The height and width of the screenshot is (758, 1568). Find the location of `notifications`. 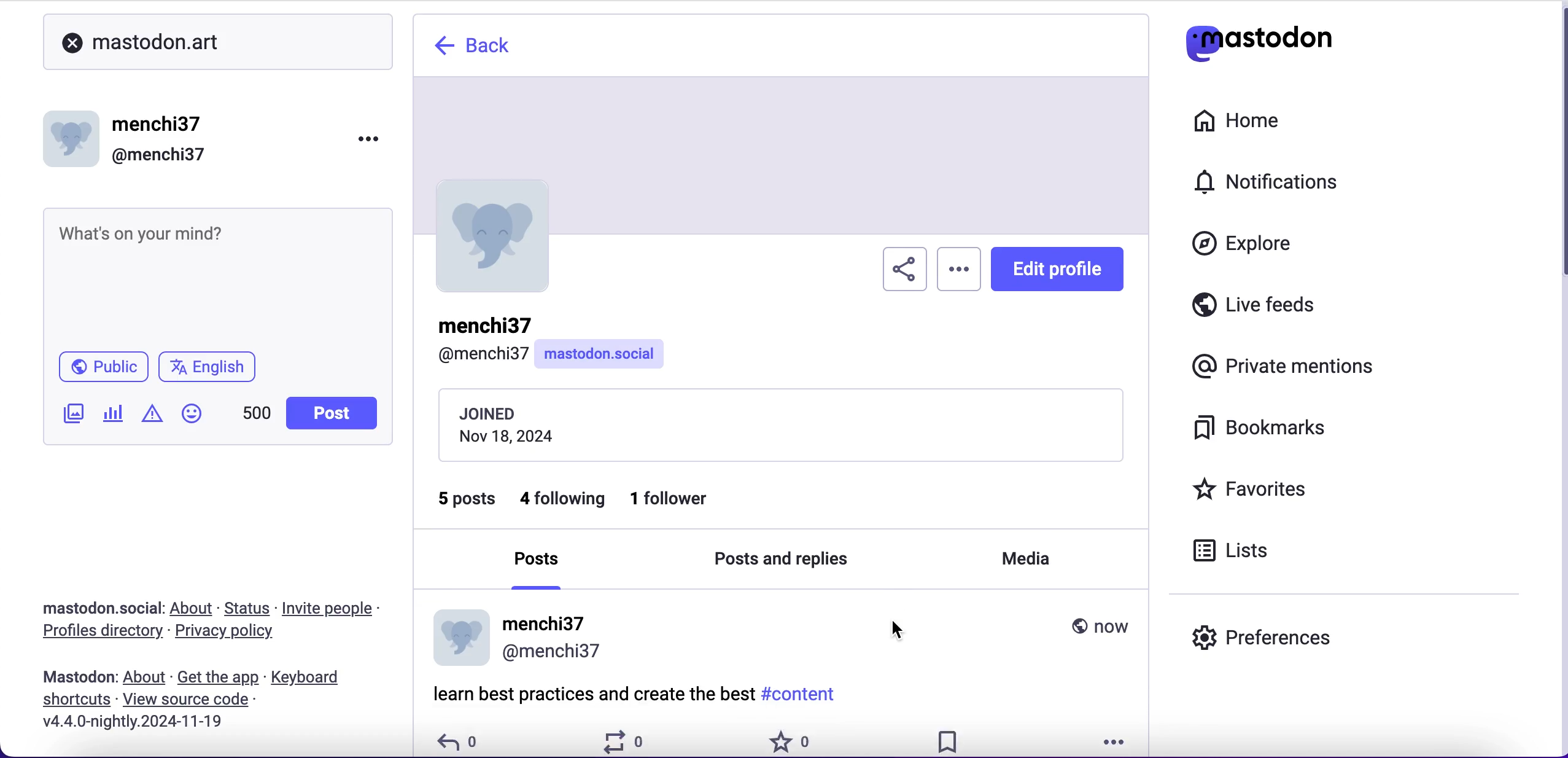

notifications is located at coordinates (1294, 186).